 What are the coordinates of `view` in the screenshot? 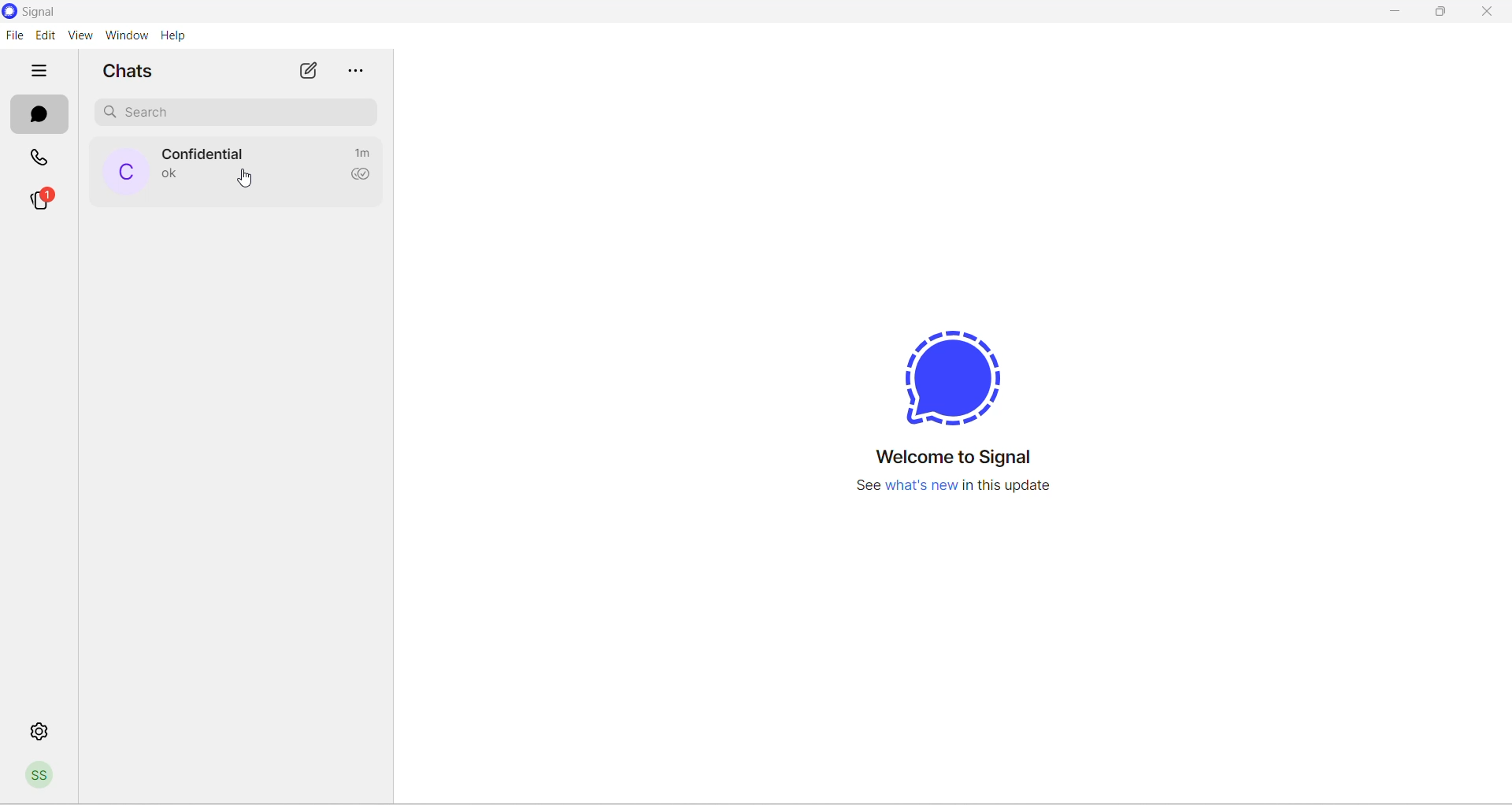 It's located at (78, 35).